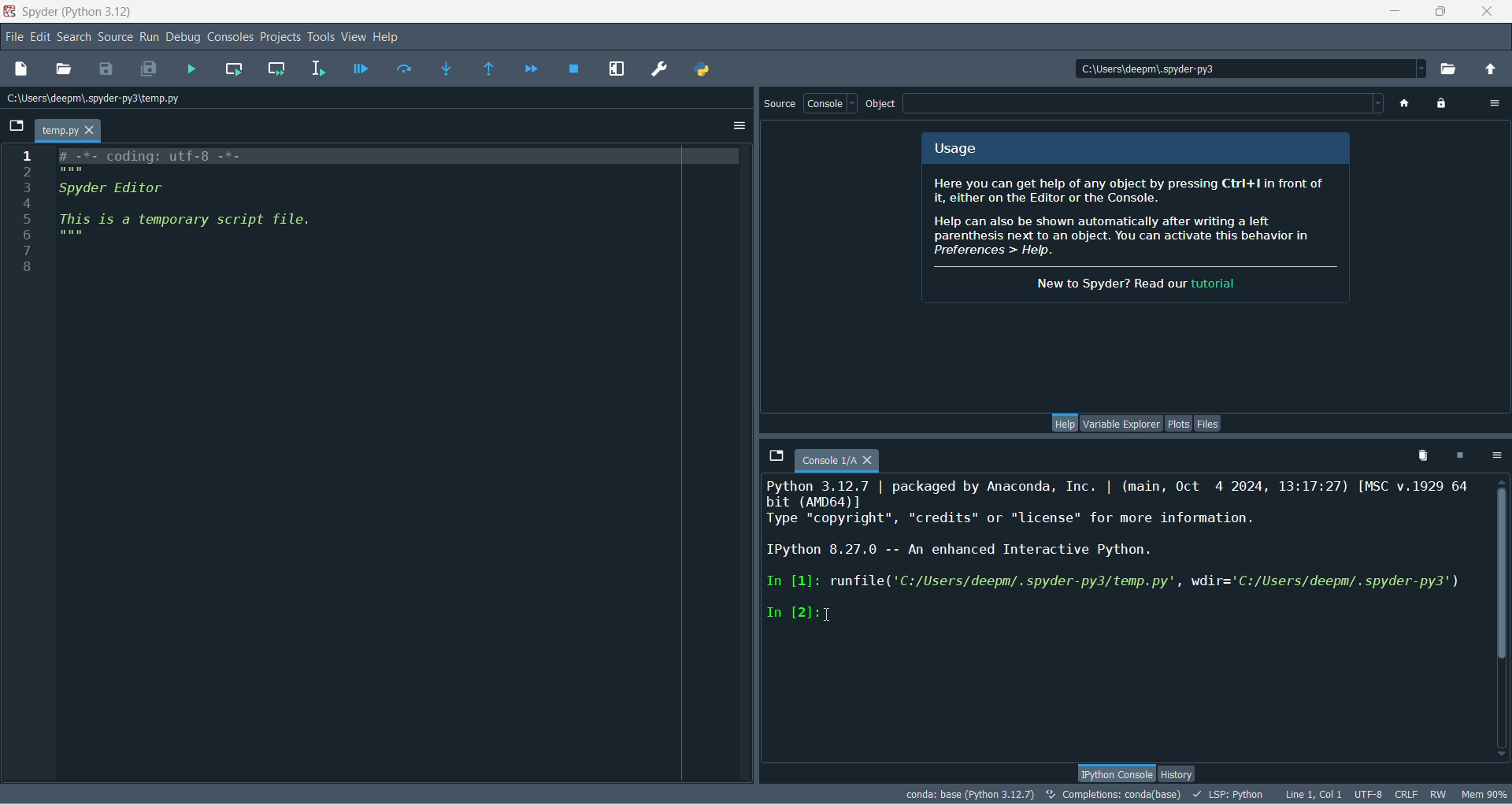 This screenshot has height=805, width=1512. I want to click on help, so click(1062, 421).